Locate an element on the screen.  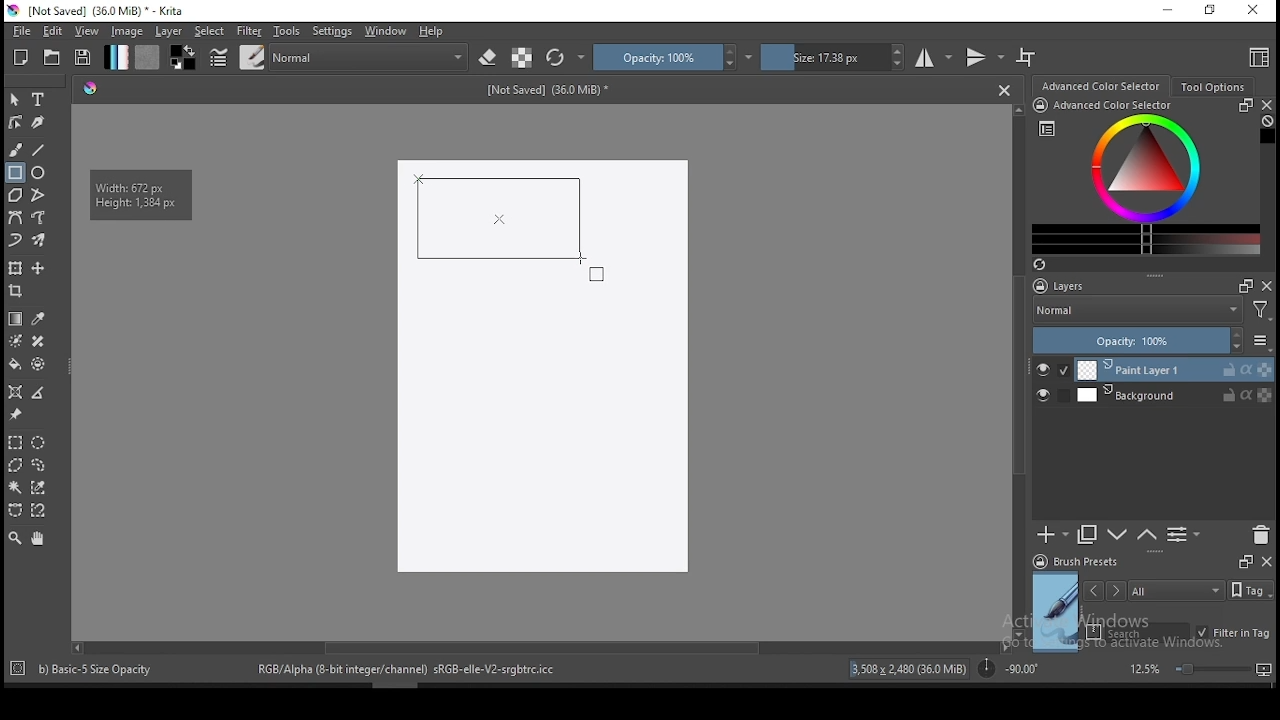
set eraser mode is located at coordinates (490, 58).